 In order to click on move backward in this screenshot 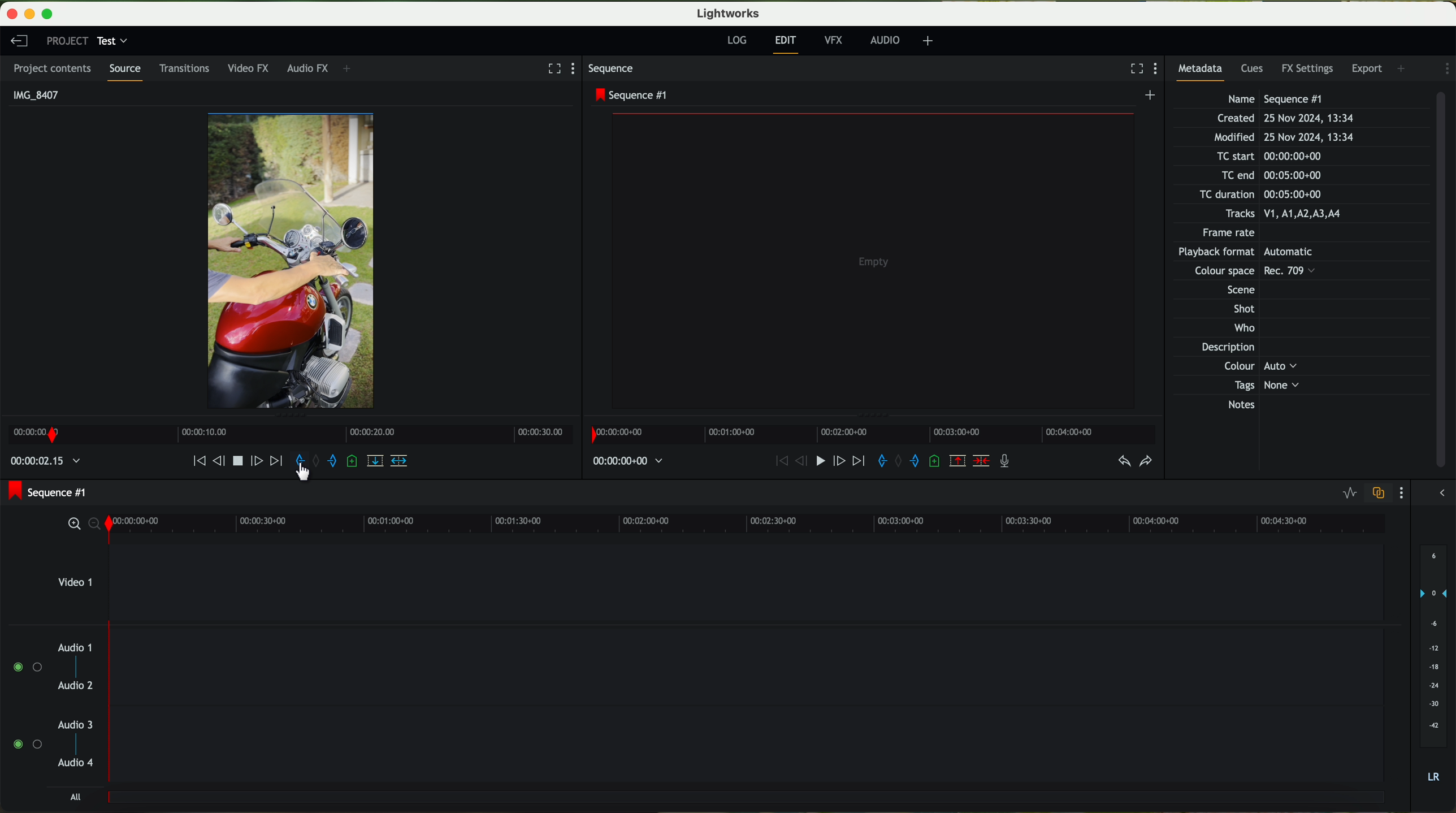, I will do `click(774, 461)`.